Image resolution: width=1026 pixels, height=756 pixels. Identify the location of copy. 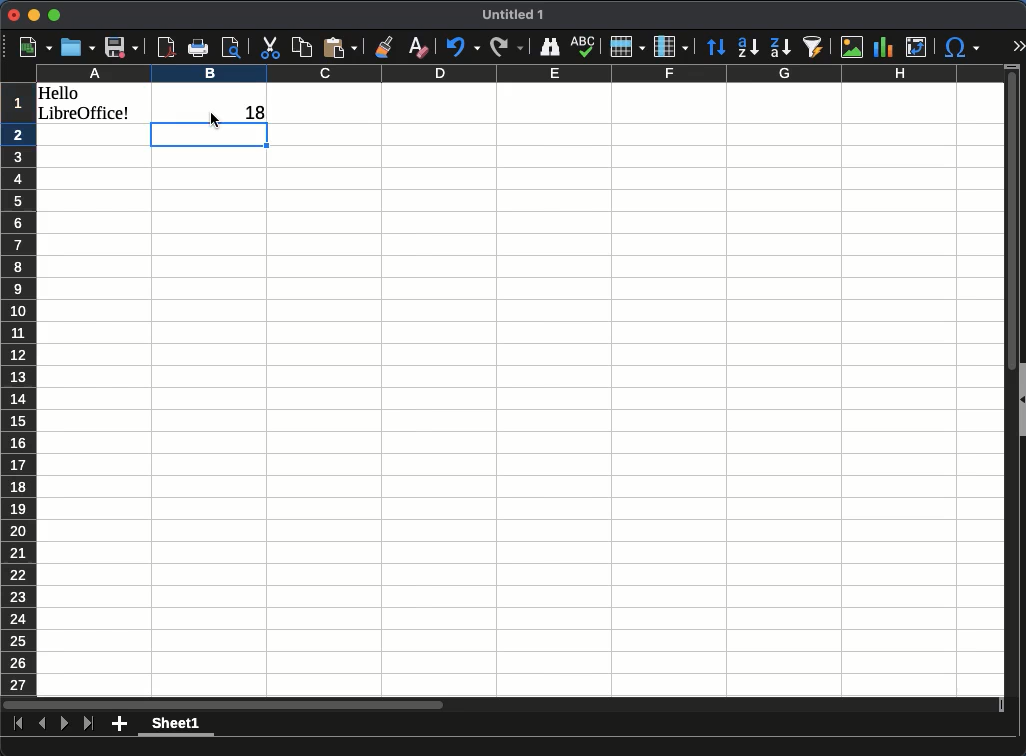
(301, 46).